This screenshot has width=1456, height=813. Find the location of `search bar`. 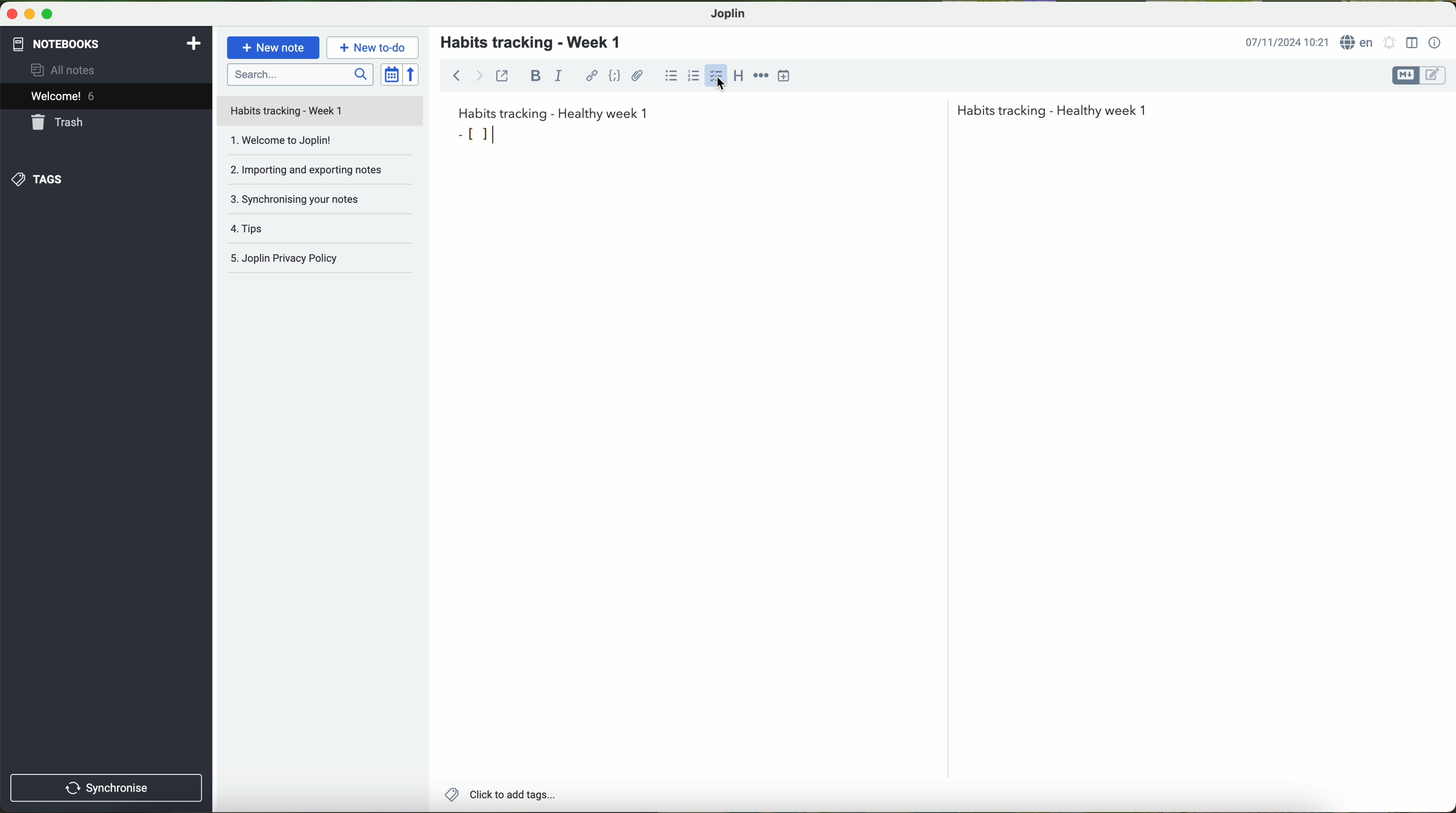

search bar is located at coordinates (299, 74).